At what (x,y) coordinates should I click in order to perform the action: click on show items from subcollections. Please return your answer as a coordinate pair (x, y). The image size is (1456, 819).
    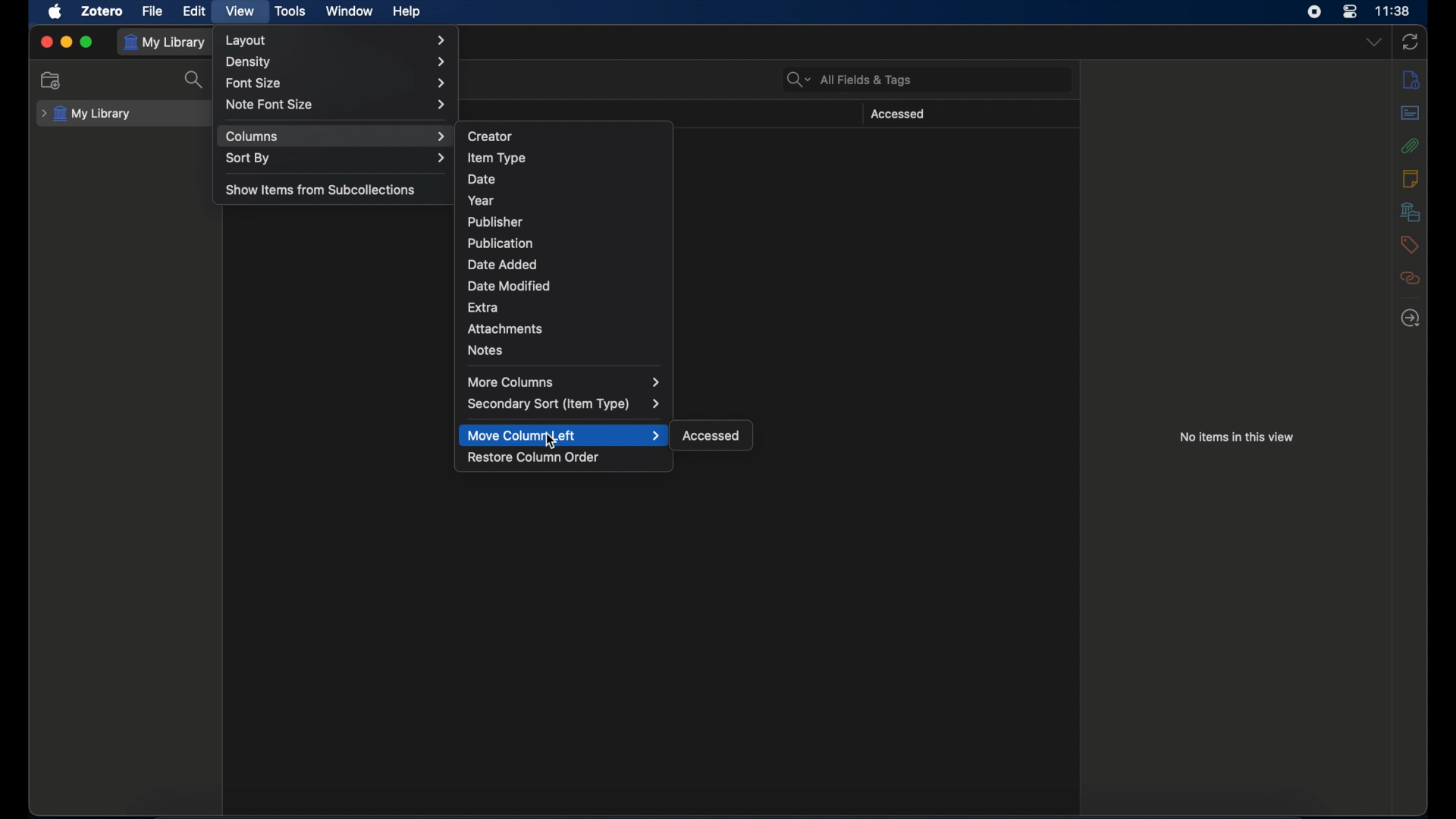
    Looking at the image, I should click on (320, 190).